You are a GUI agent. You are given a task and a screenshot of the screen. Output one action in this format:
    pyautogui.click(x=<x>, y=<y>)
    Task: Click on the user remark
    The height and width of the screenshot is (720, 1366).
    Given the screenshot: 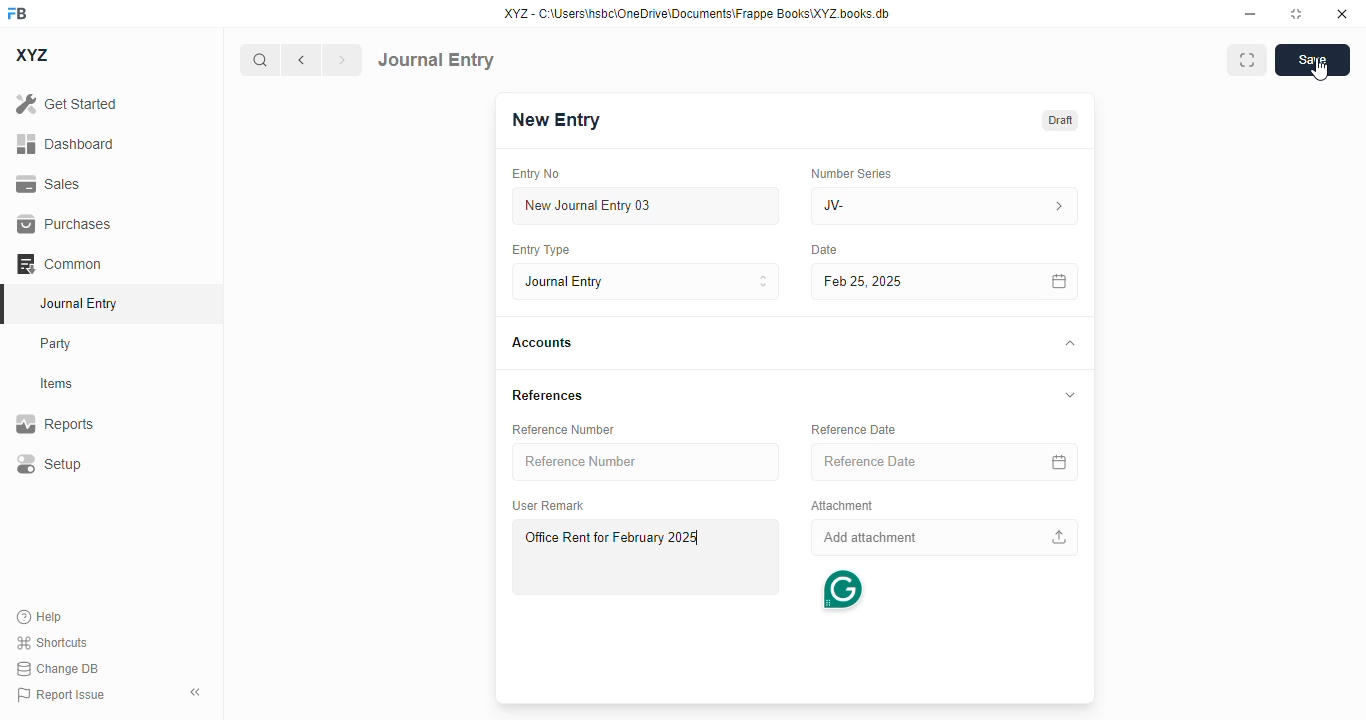 What is the action you would take?
    pyautogui.click(x=548, y=505)
    